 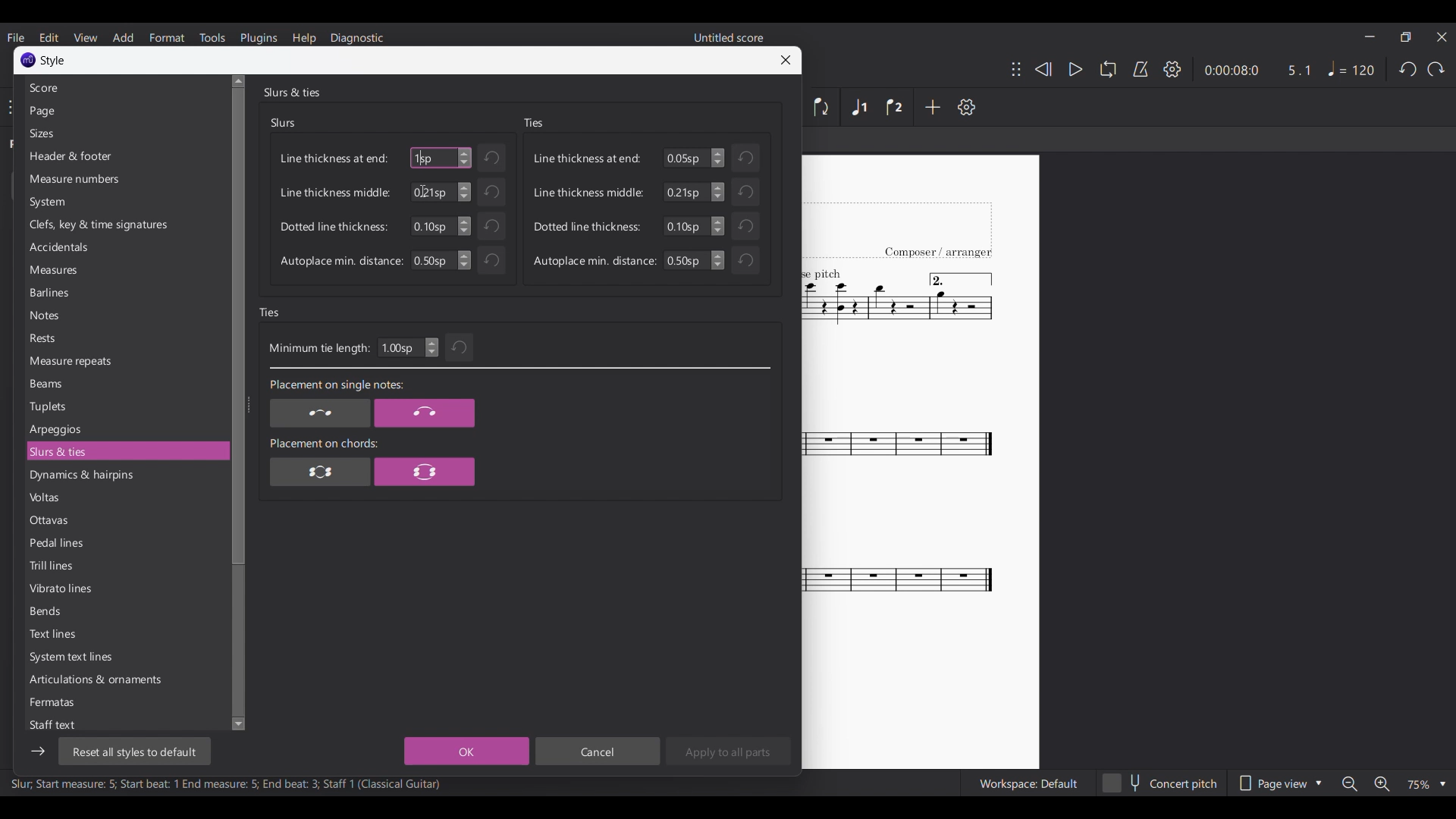 I want to click on Trill lines, so click(x=125, y=565).